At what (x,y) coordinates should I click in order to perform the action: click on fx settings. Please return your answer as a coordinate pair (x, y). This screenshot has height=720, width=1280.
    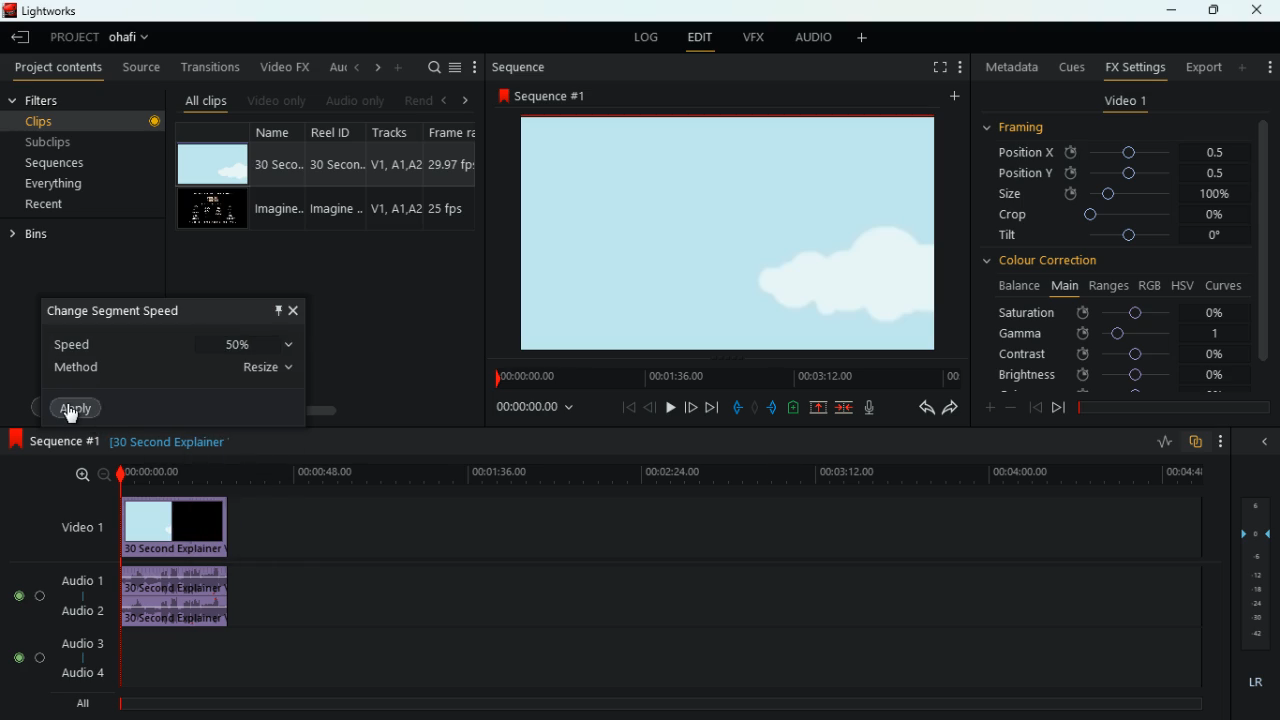
    Looking at the image, I should click on (1133, 67).